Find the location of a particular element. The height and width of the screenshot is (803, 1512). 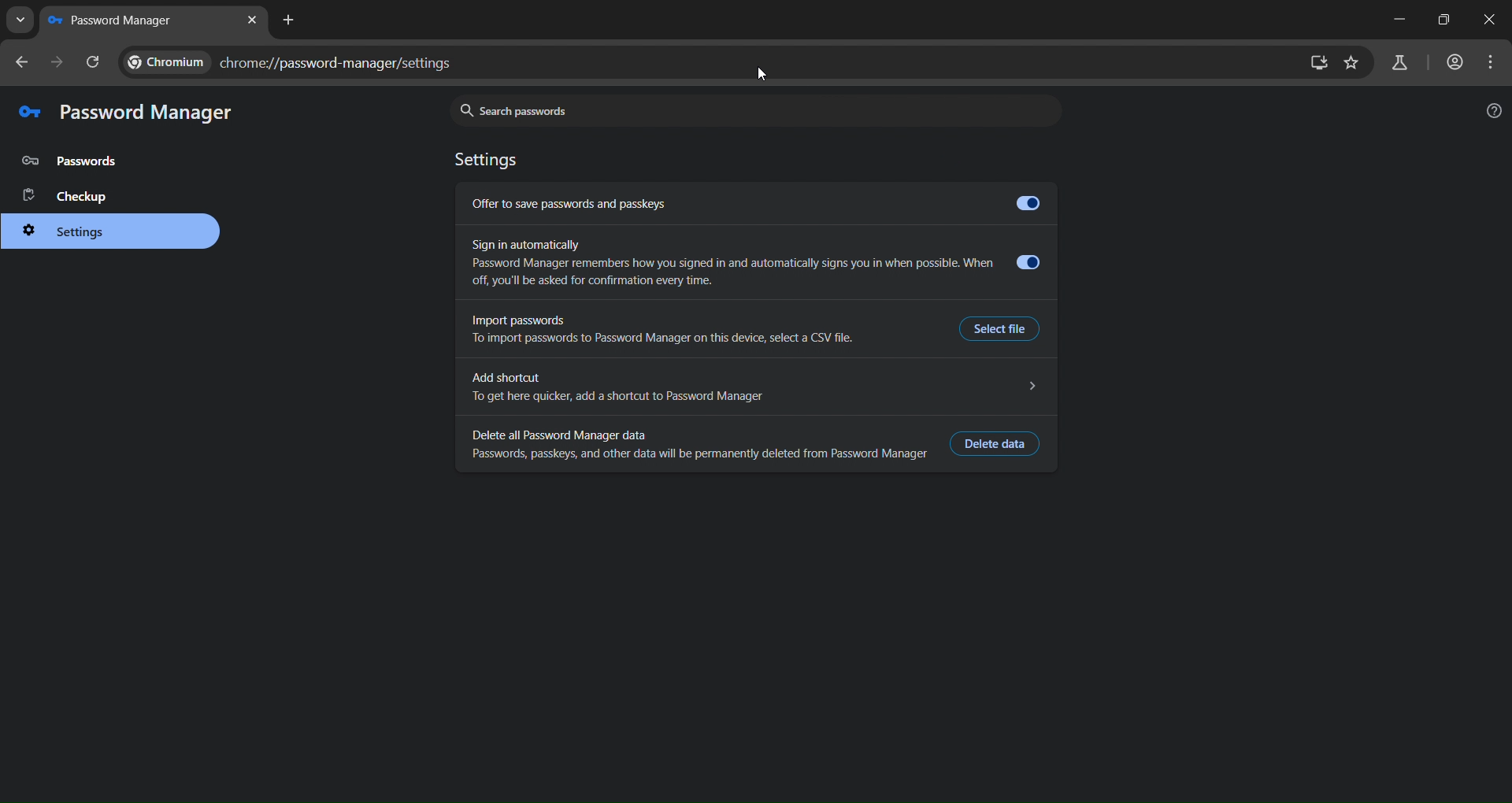

menu is located at coordinates (1495, 61).